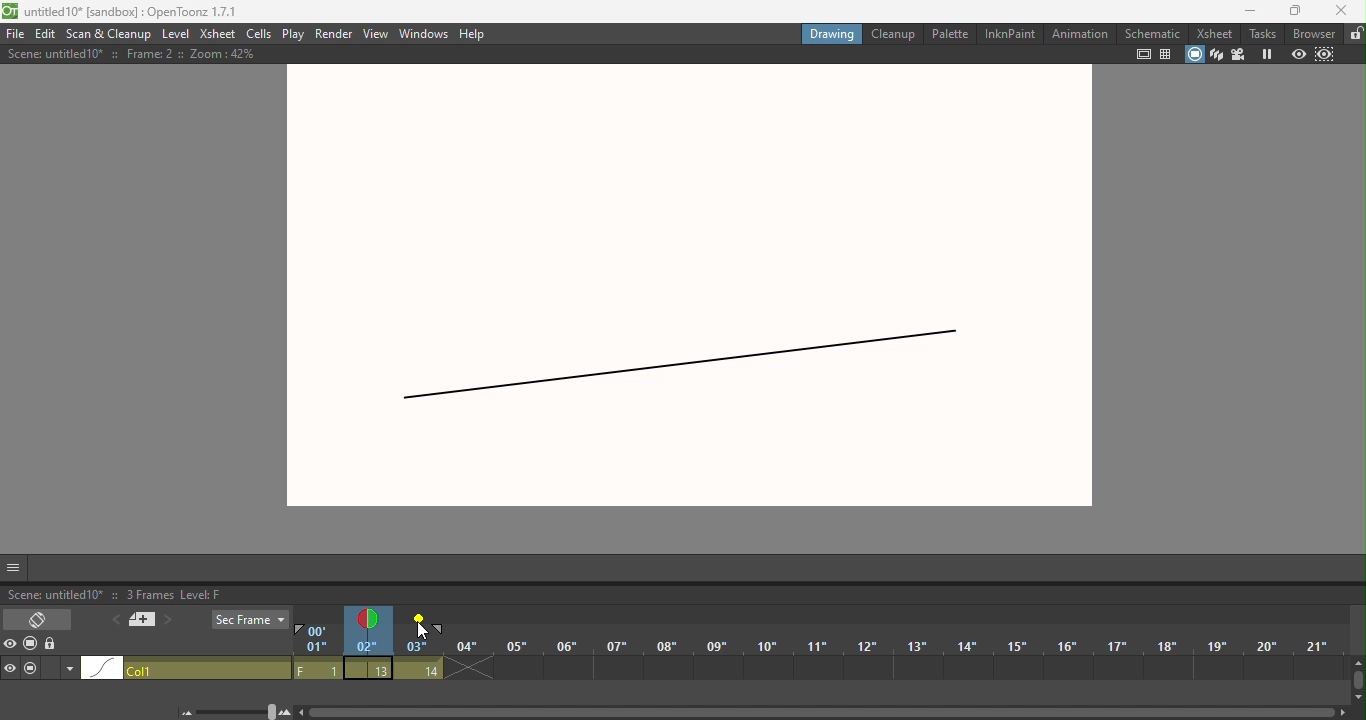  I want to click on Next memo, so click(167, 623).